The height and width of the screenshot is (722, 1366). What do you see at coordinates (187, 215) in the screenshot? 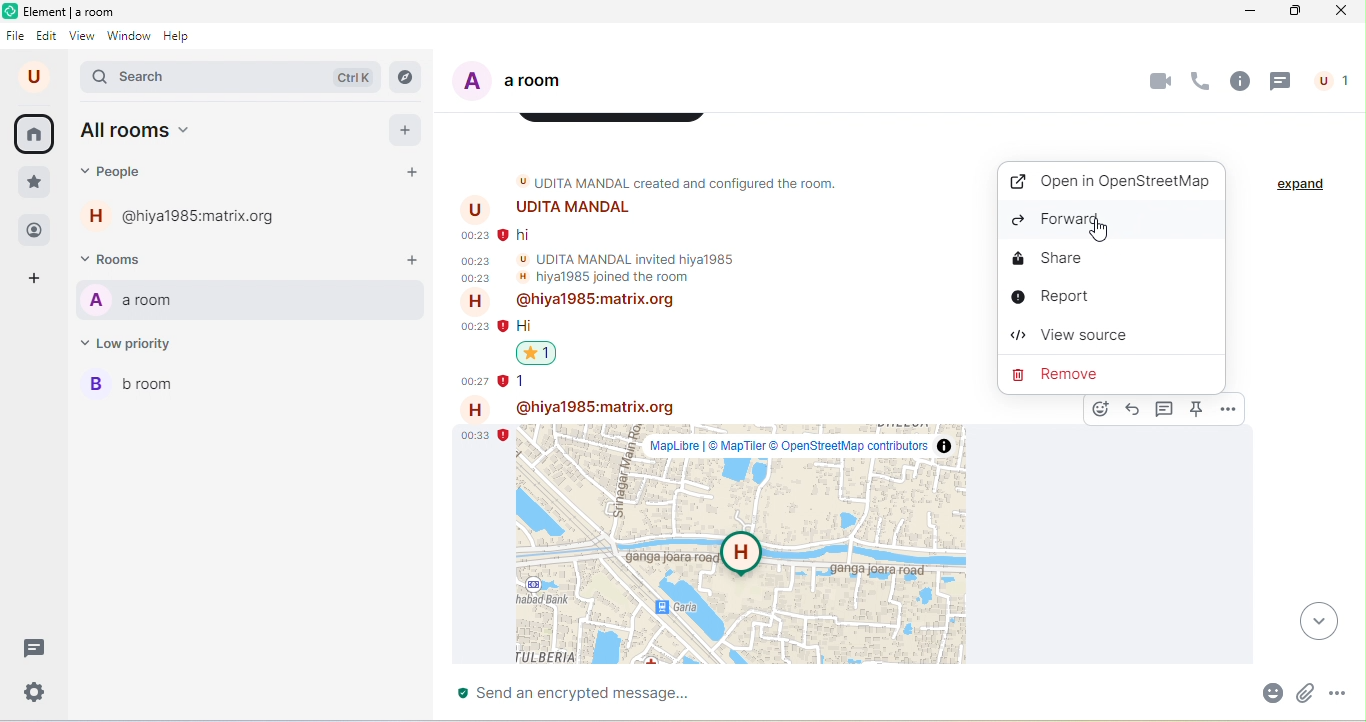
I see `@hiya1985:matrix.org` at bounding box center [187, 215].